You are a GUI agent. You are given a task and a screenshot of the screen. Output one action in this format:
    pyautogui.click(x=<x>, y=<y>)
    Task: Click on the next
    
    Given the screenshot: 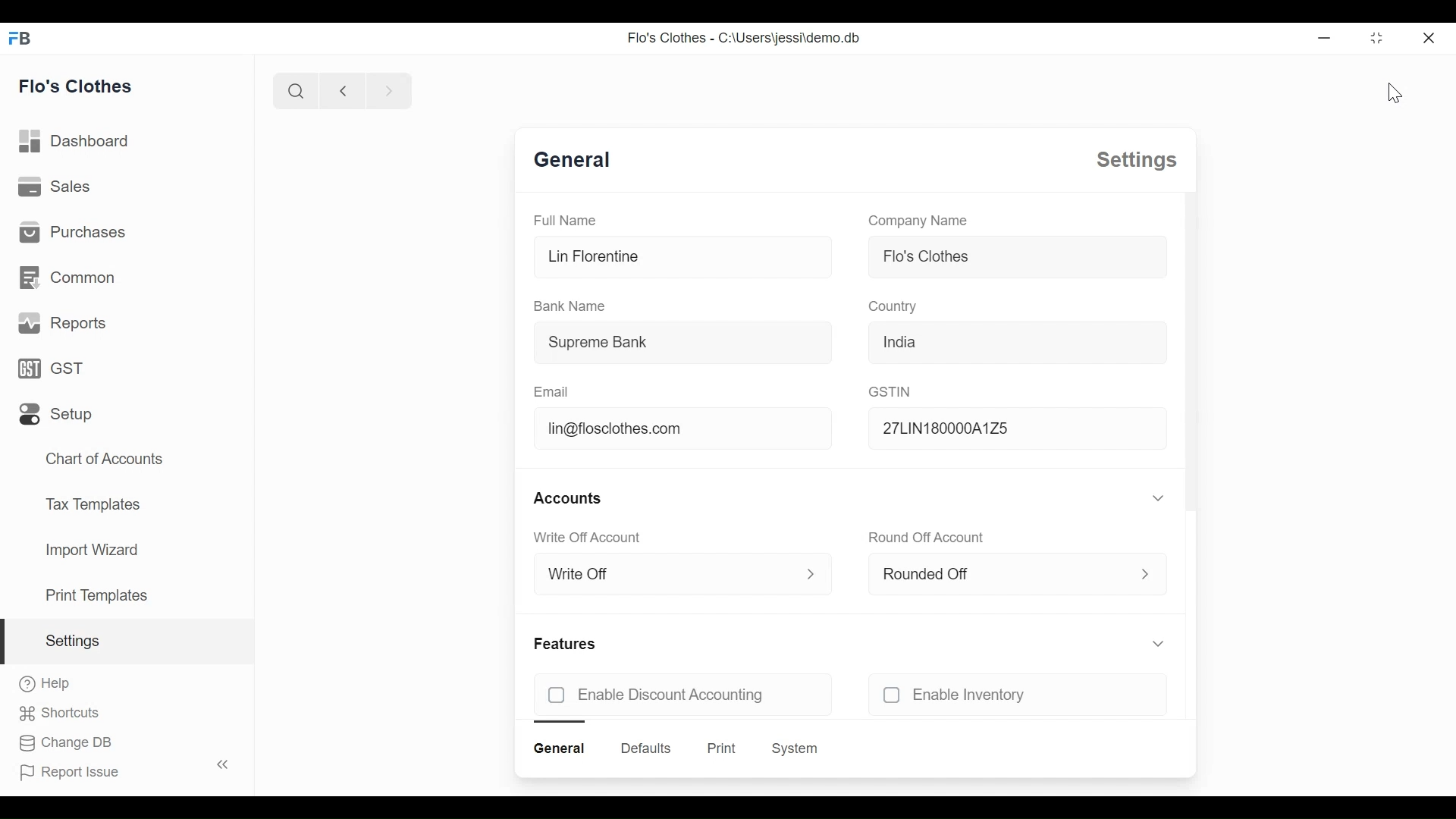 What is the action you would take?
    pyautogui.click(x=390, y=90)
    